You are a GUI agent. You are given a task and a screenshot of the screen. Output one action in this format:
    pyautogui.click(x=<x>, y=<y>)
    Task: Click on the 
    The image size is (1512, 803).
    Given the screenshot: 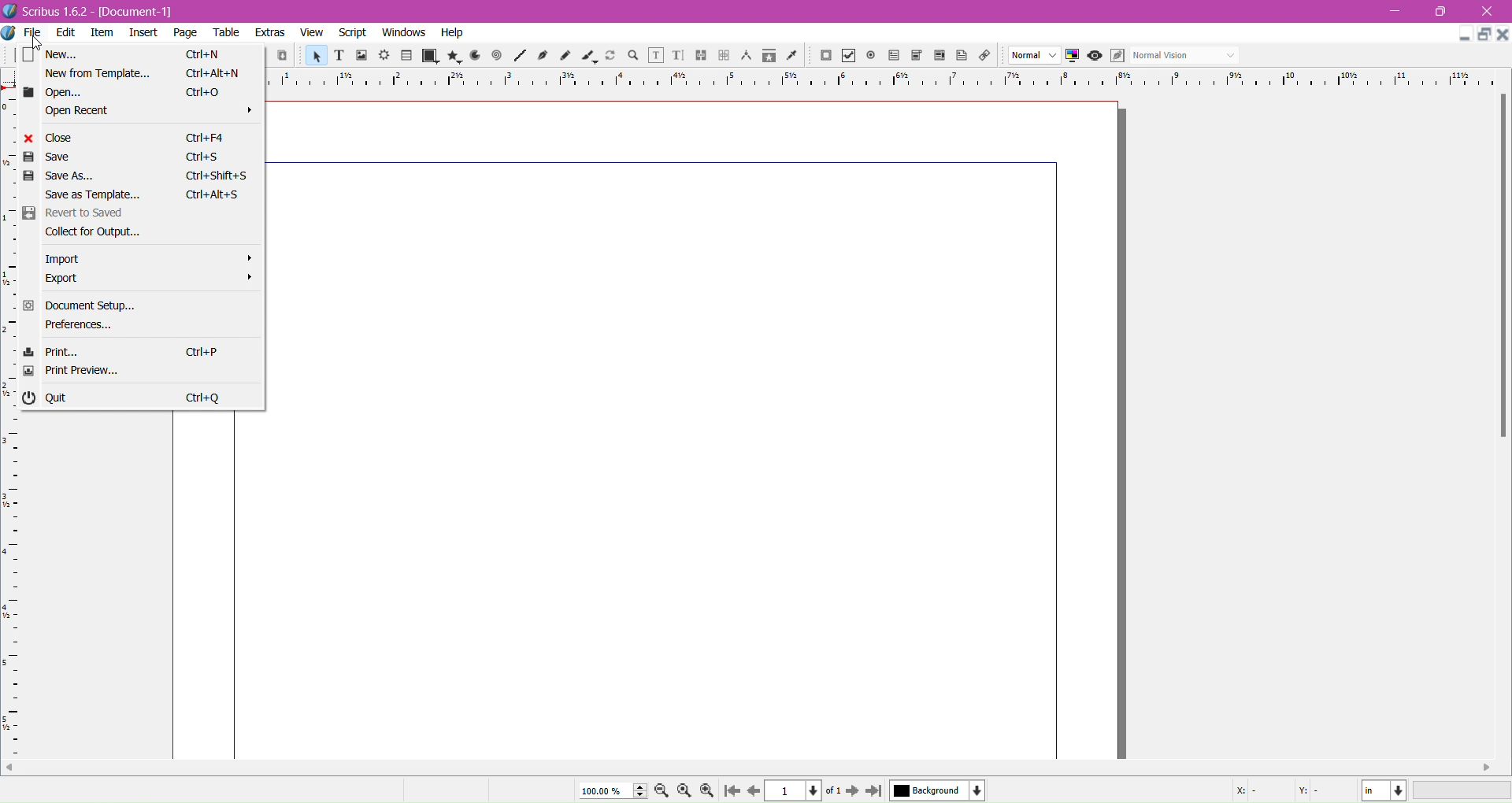 What is the action you would take?
    pyautogui.click(x=869, y=55)
    